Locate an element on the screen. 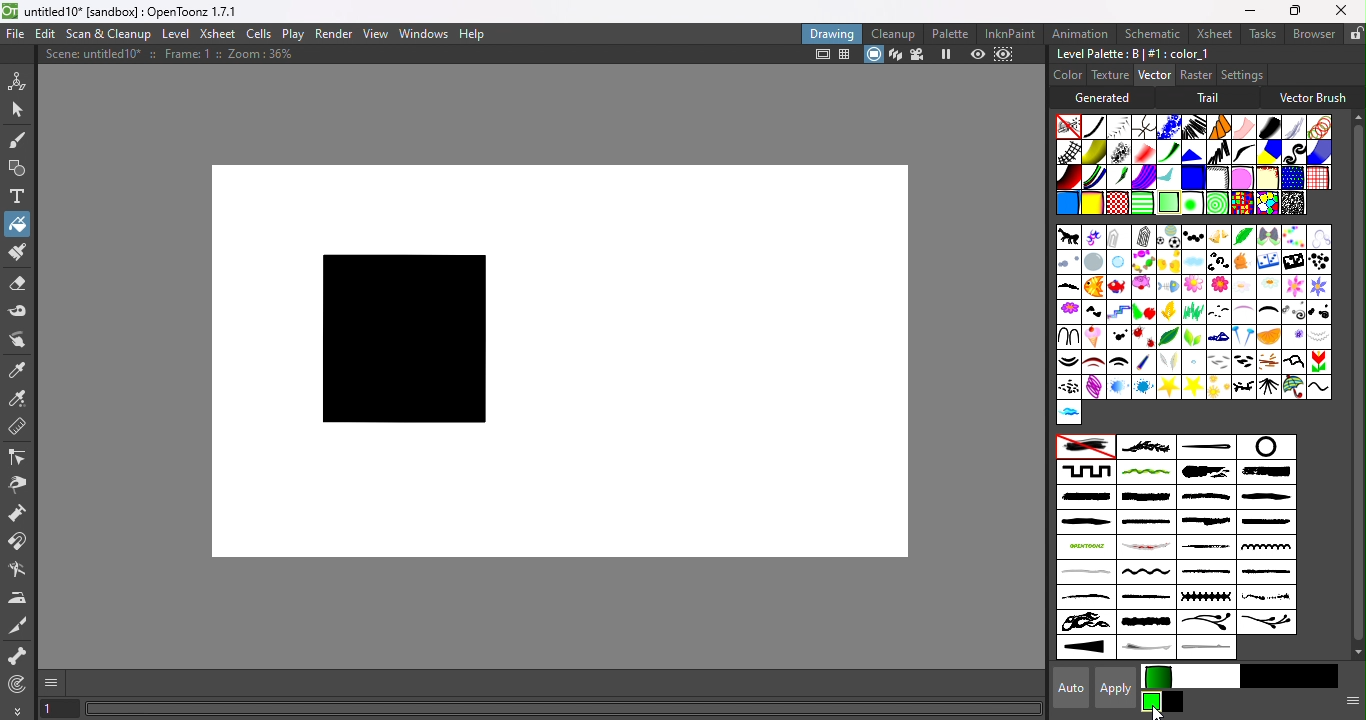  Render is located at coordinates (335, 33).